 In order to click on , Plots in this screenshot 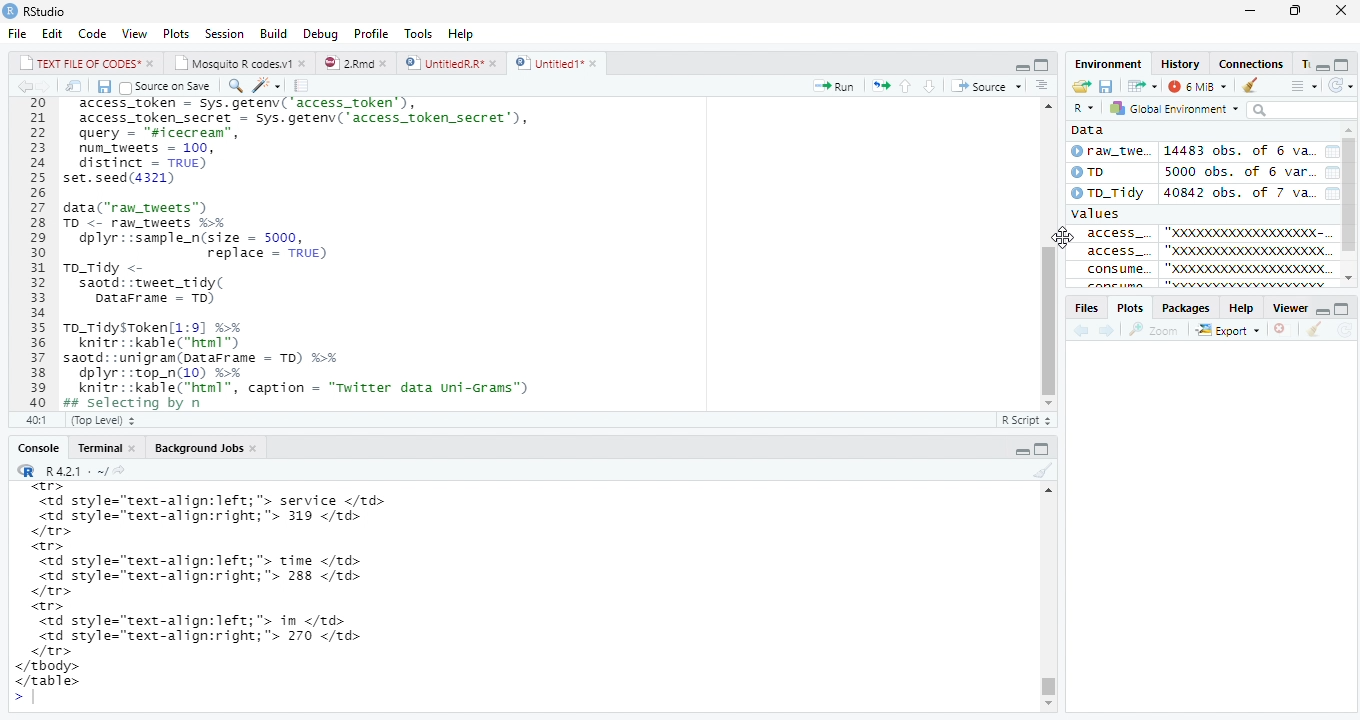, I will do `click(1130, 308)`.